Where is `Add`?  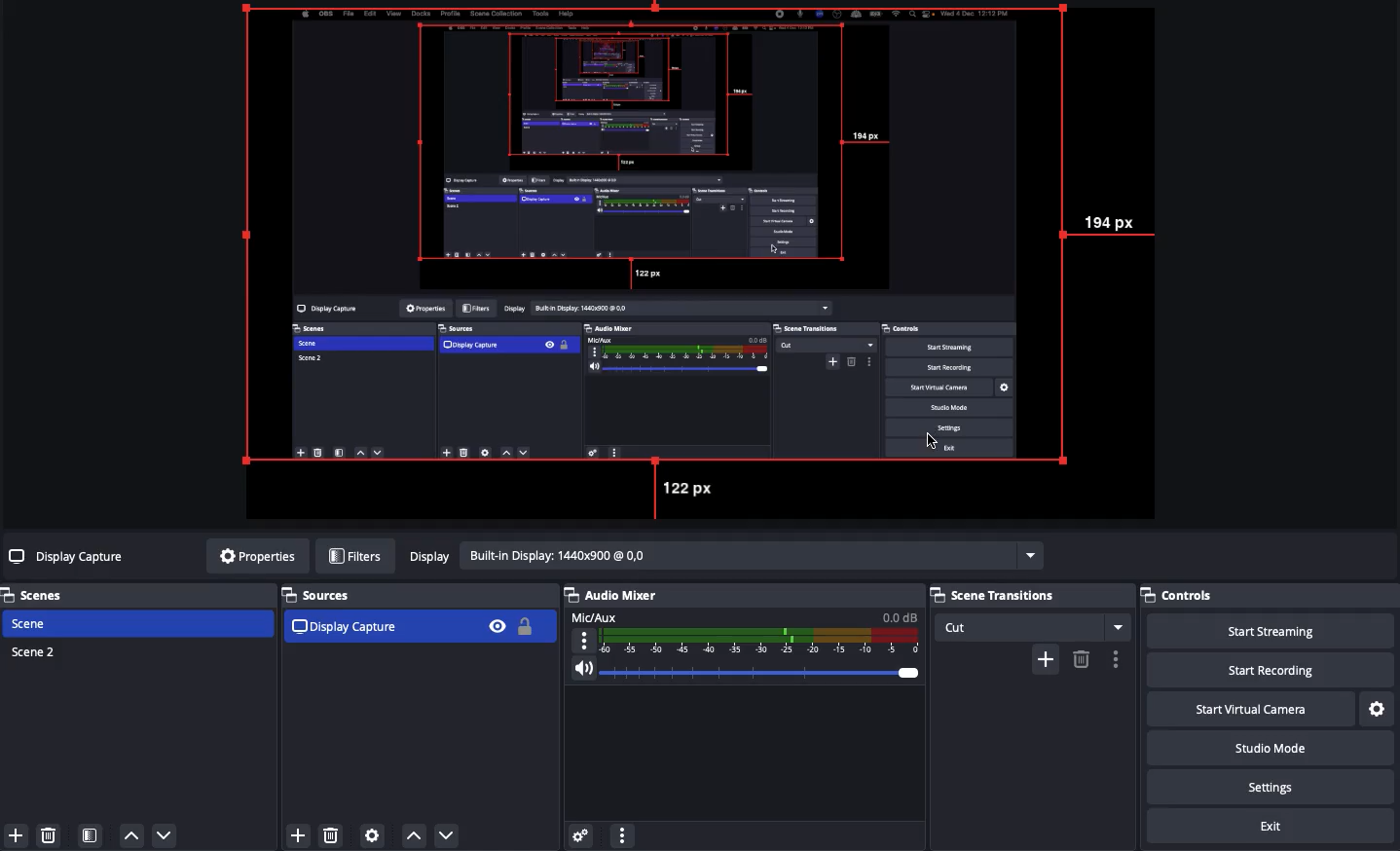 Add is located at coordinates (1045, 657).